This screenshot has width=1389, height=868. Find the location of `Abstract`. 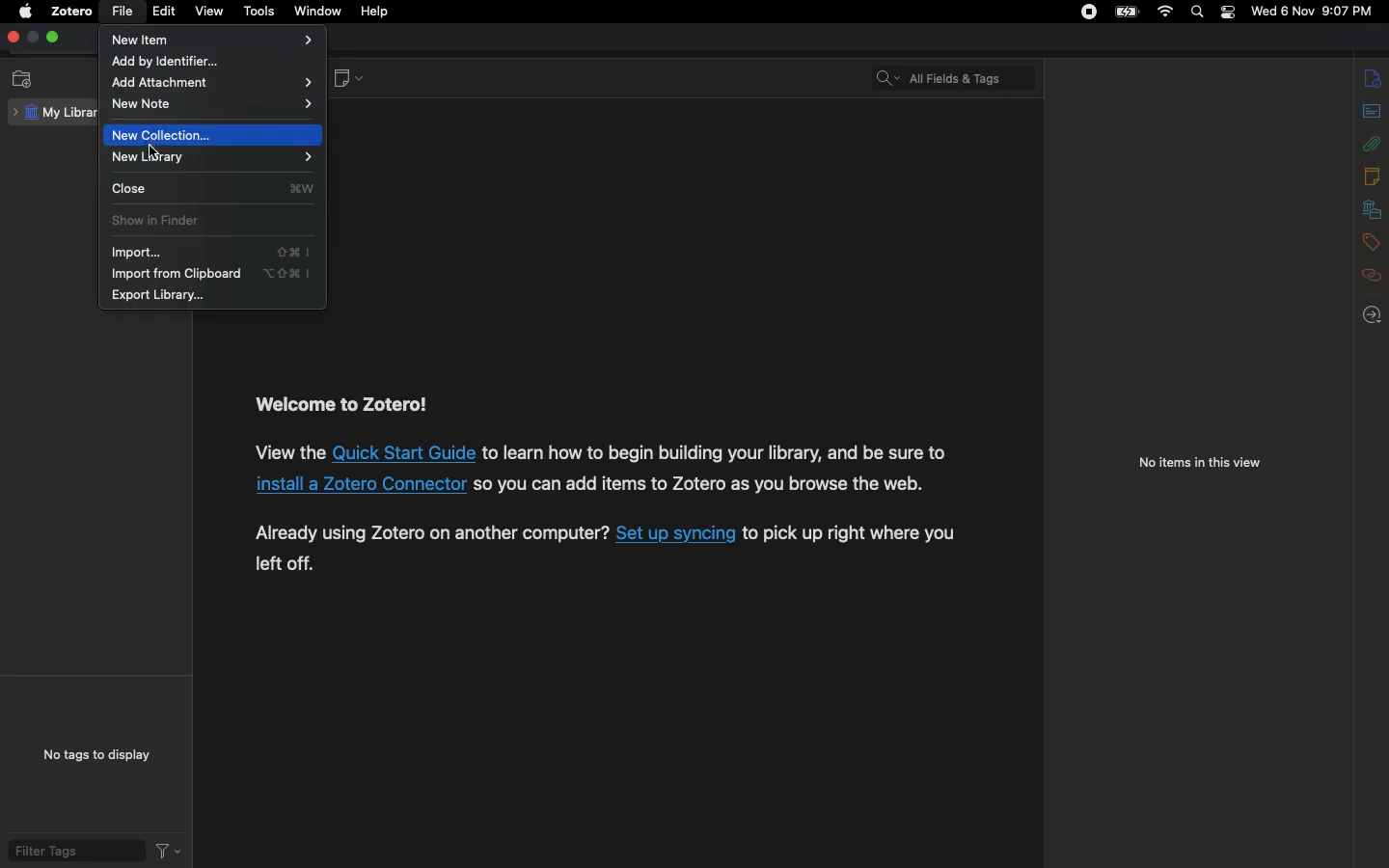

Abstract is located at coordinates (1371, 112).